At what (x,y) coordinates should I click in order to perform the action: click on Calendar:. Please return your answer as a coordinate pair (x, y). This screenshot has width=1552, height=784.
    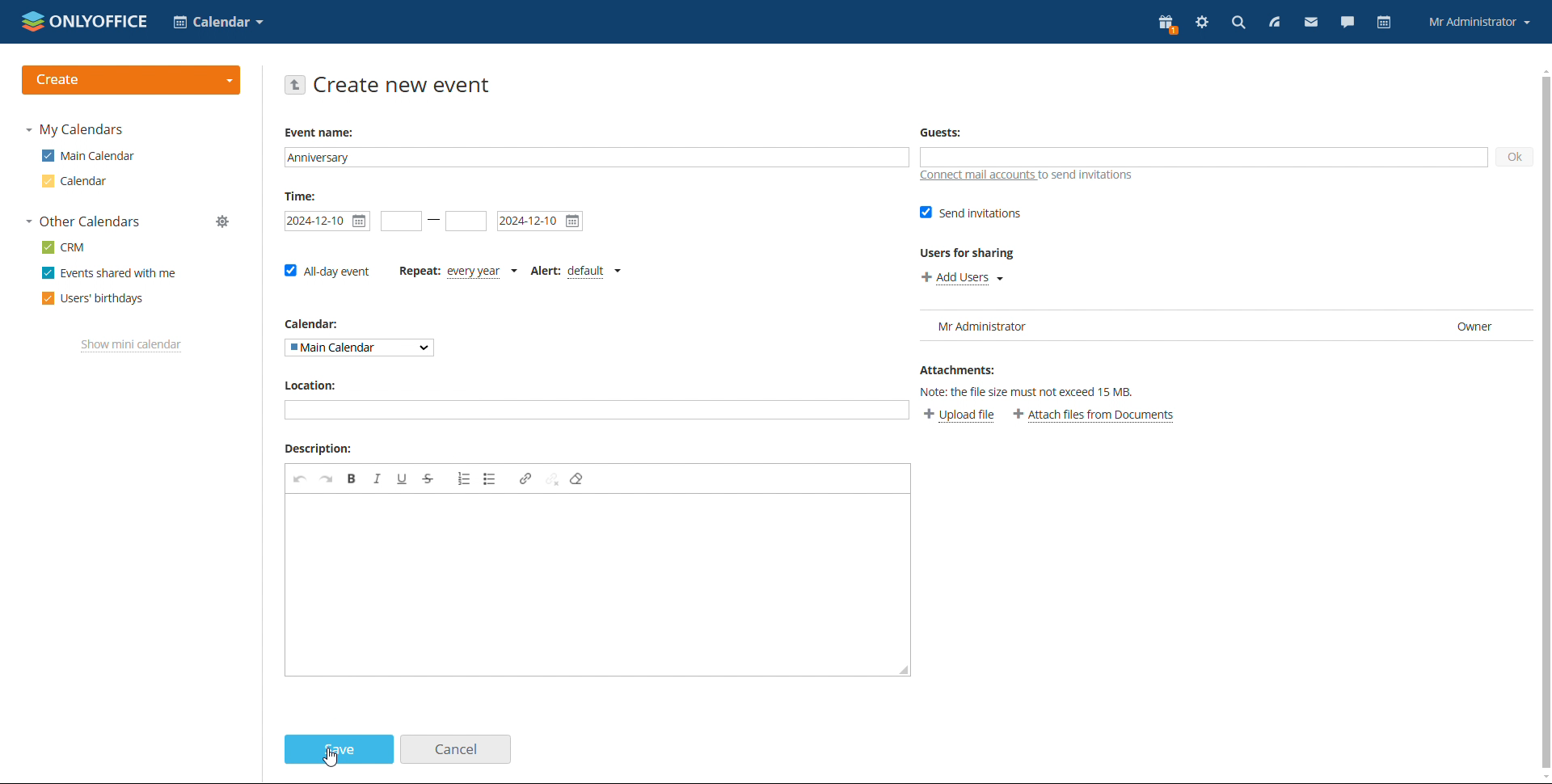
    Looking at the image, I should click on (306, 322).